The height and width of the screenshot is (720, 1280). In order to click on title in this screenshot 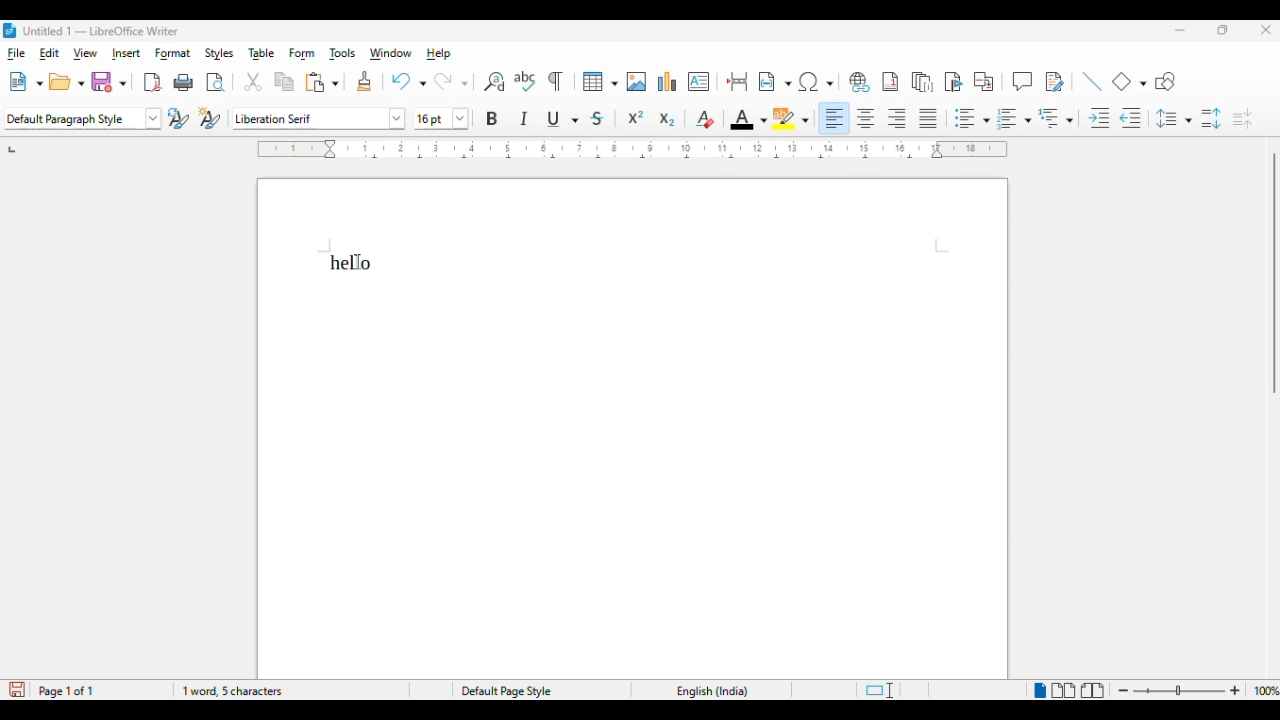, I will do `click(101, 30)`.